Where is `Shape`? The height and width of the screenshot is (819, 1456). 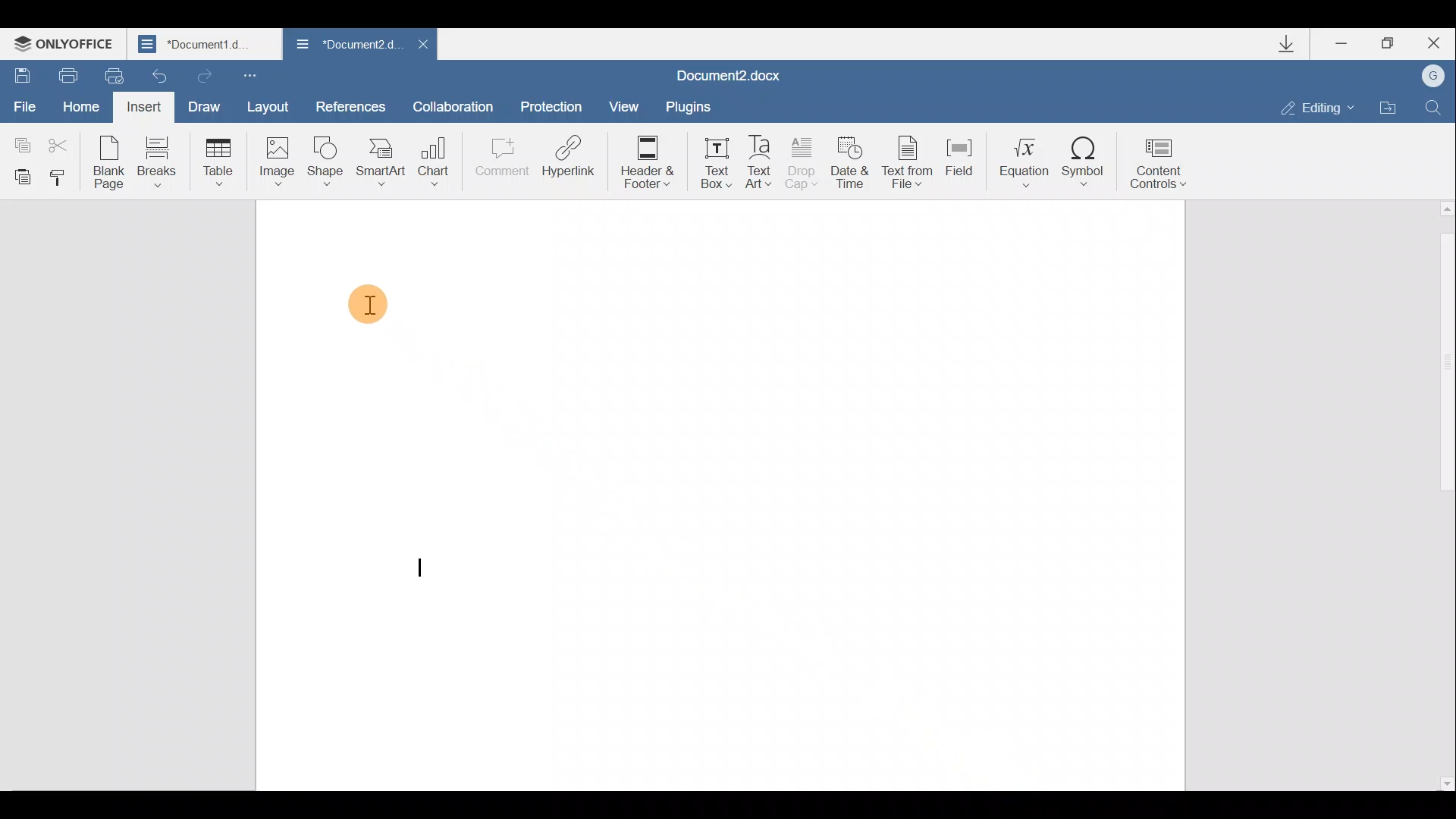
Shape is located at coordinates (323, 162).